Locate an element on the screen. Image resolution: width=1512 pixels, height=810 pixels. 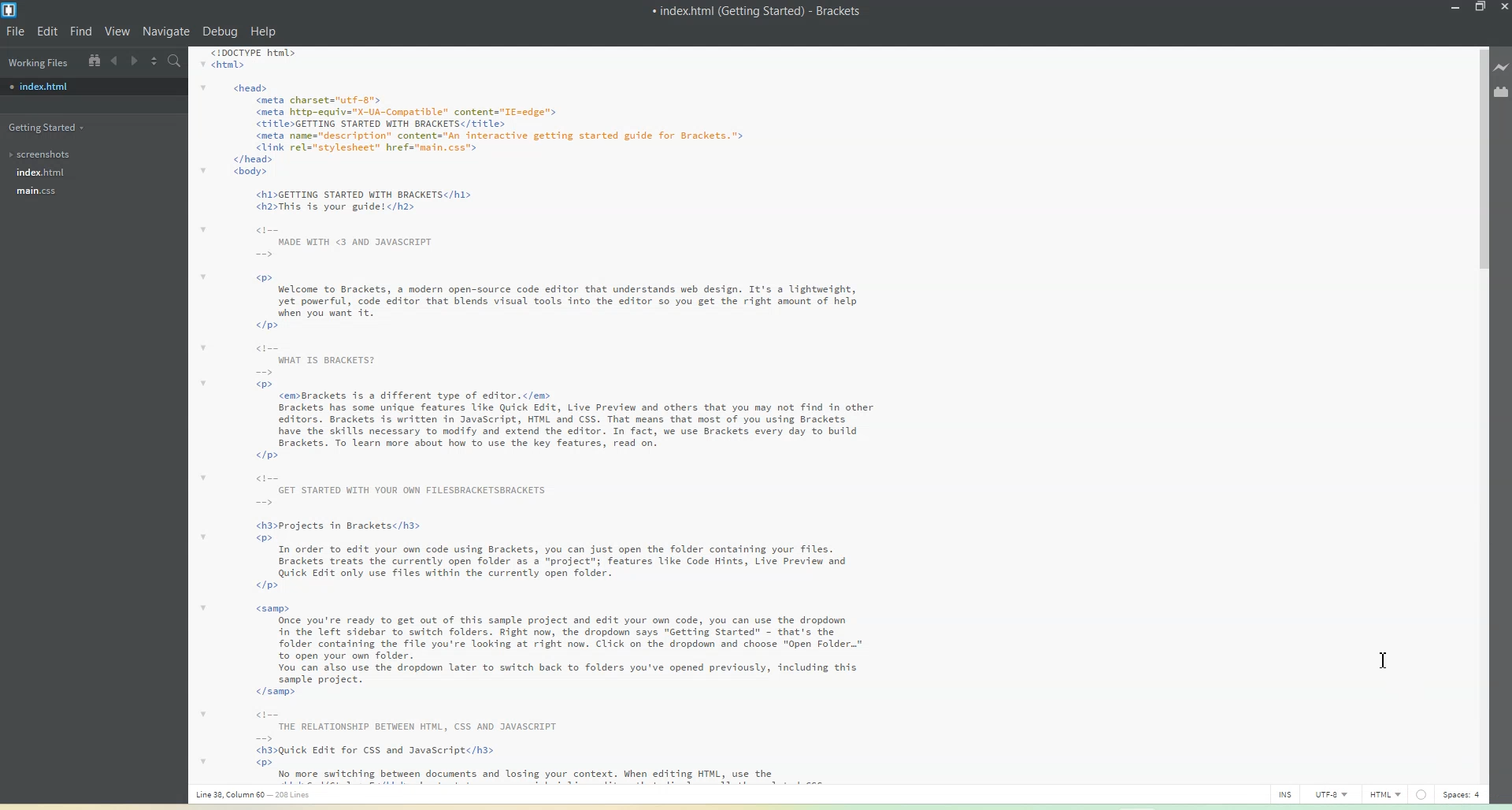
Edit is located at coordinates (46, 32).